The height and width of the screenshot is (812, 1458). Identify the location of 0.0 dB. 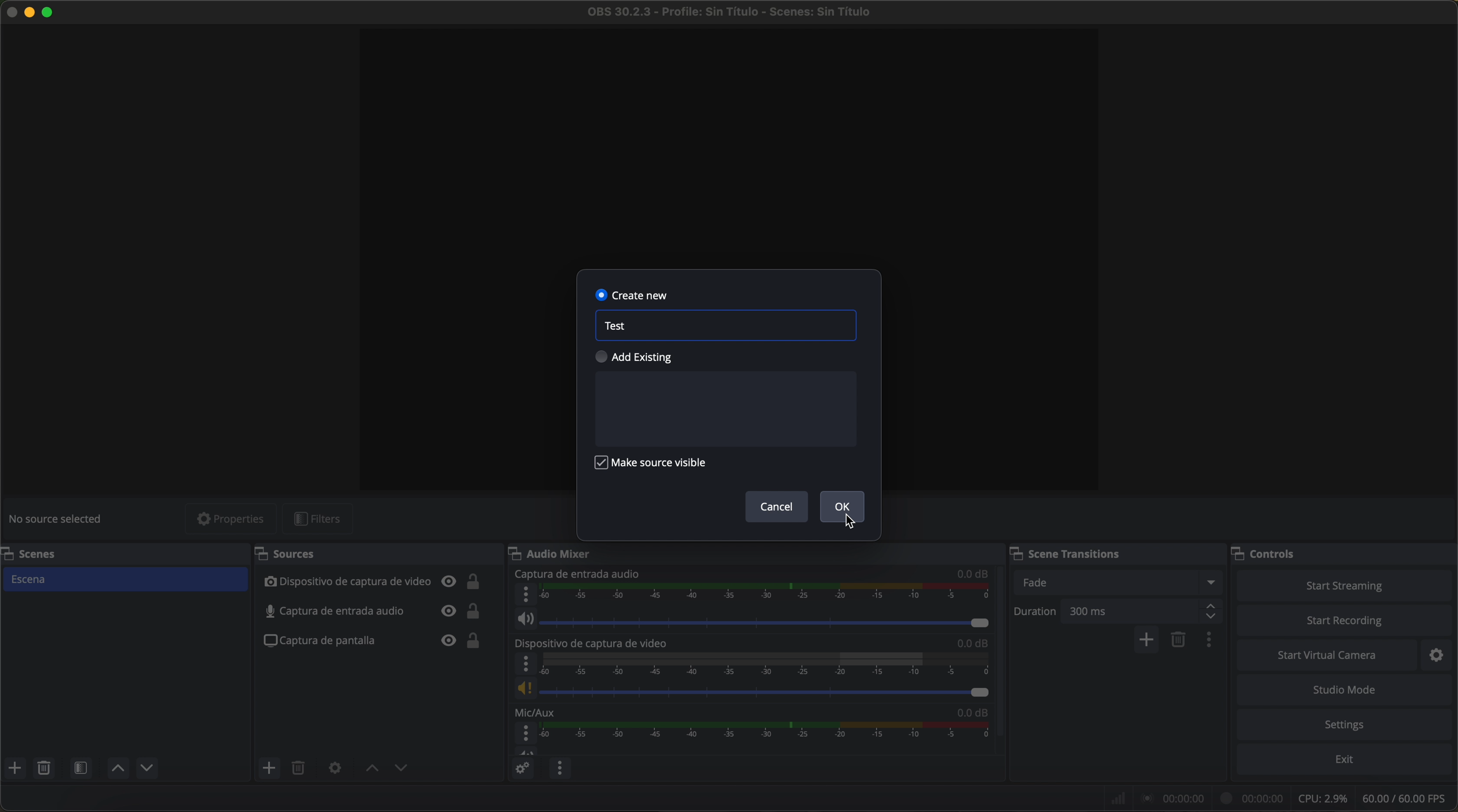
(974, 573).